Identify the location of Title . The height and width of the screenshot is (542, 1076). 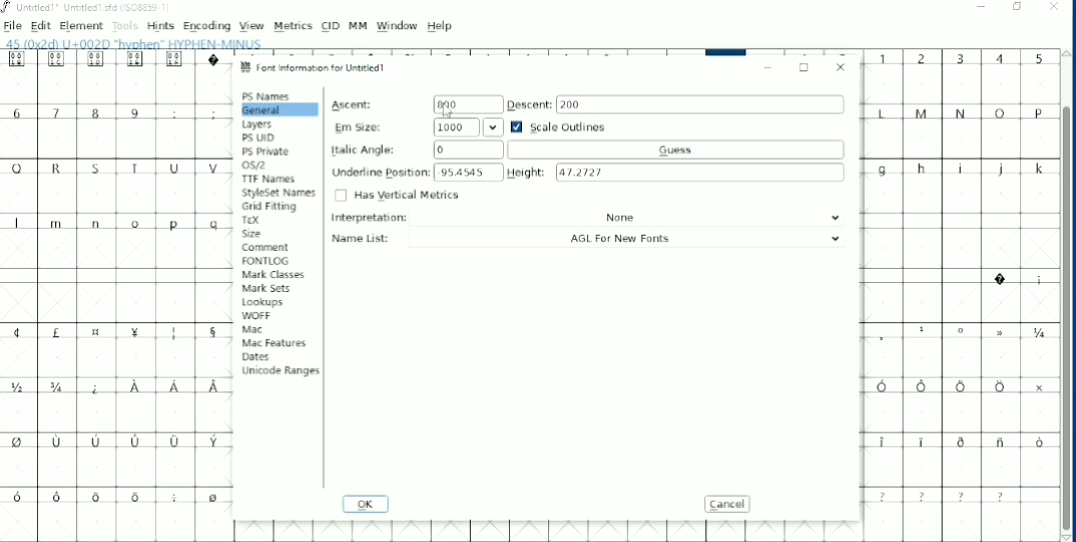
(89, 8).